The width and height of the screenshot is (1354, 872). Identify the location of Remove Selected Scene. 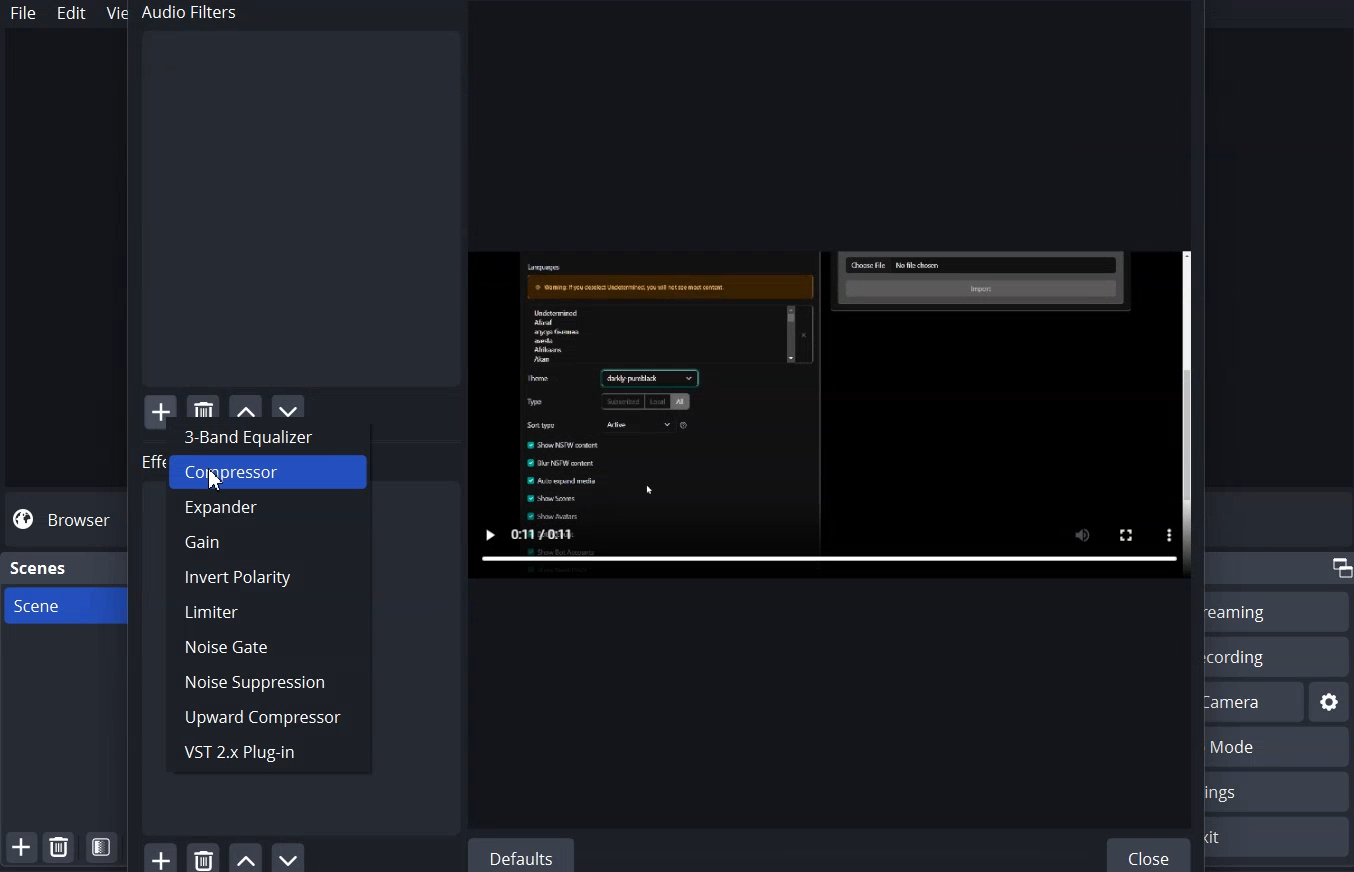
(58, 846).